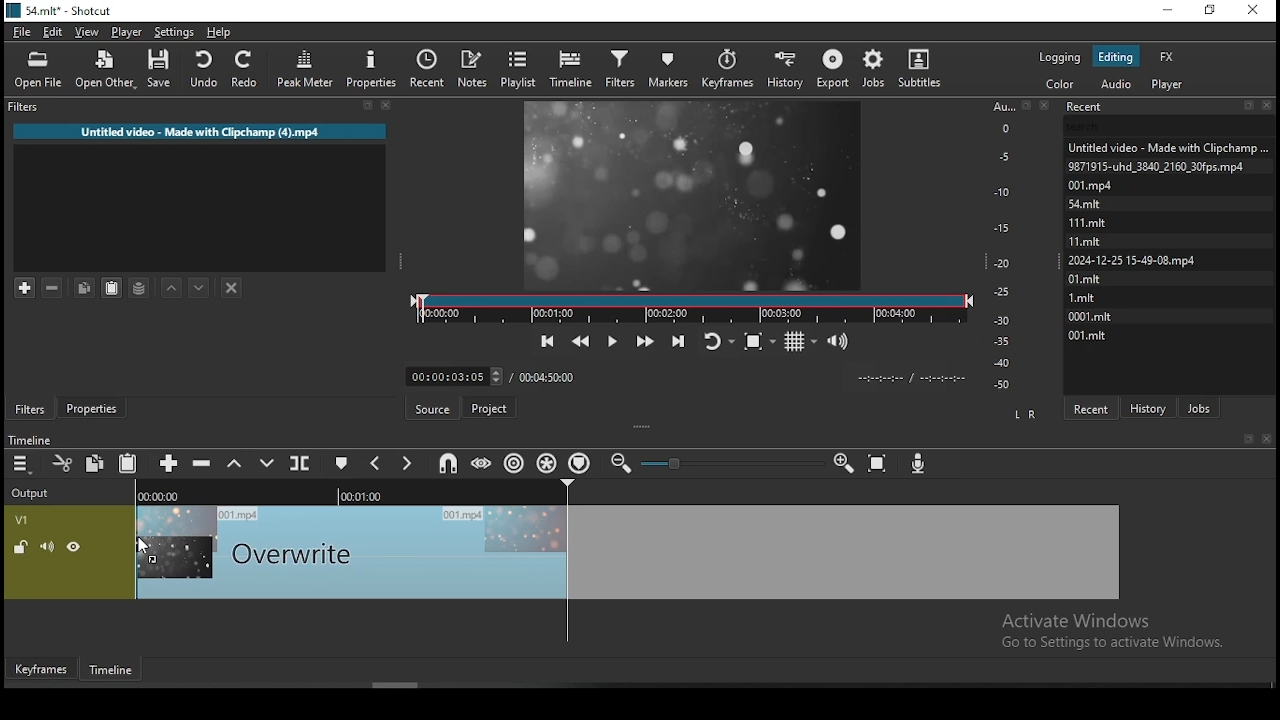 Image resolution: width=1280 pixels, height=720 pixels. I want to click on paste, so click(110, 288).